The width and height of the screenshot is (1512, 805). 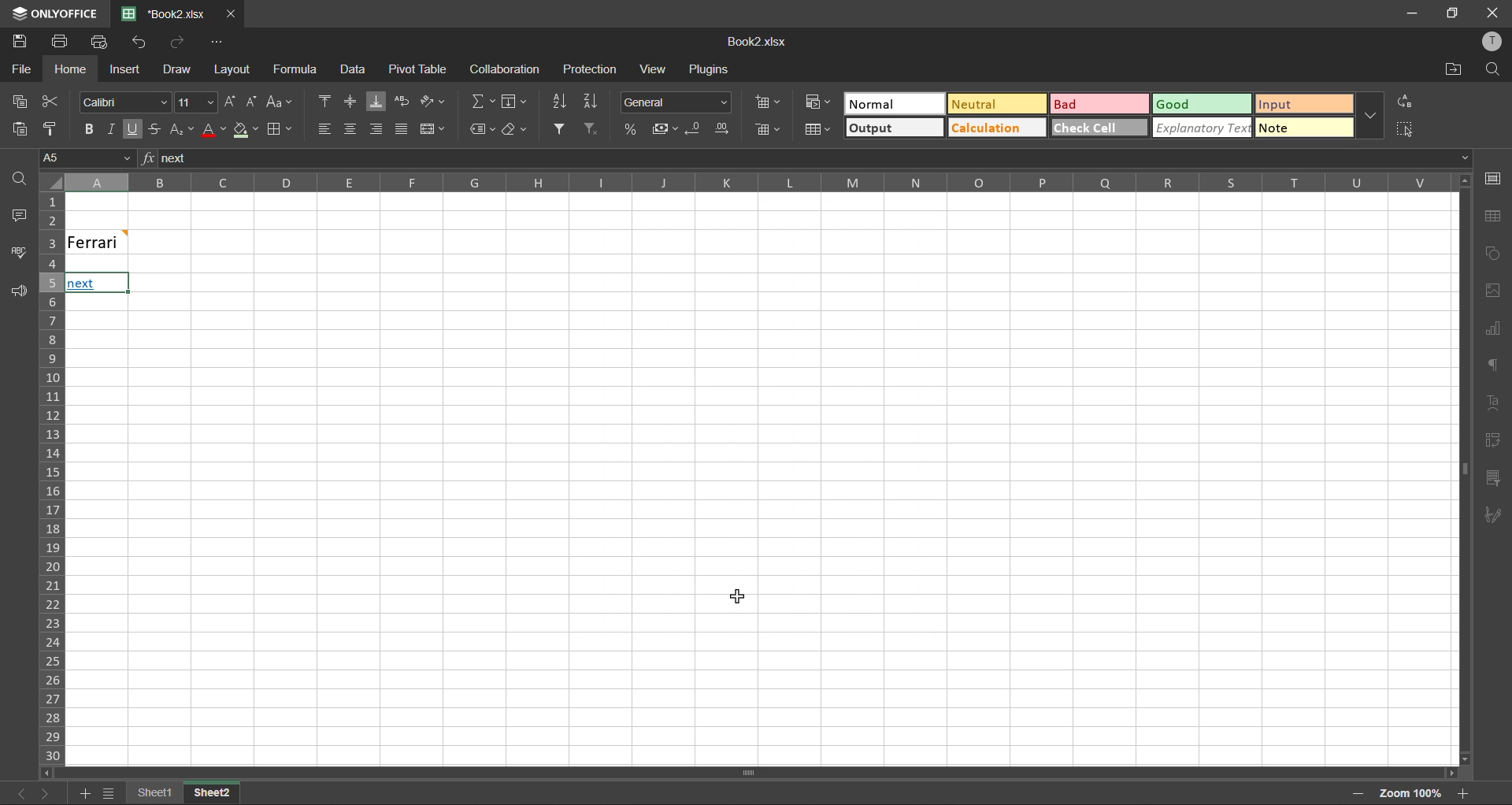 I want to click on merge and center, so click(x=432, y=129).